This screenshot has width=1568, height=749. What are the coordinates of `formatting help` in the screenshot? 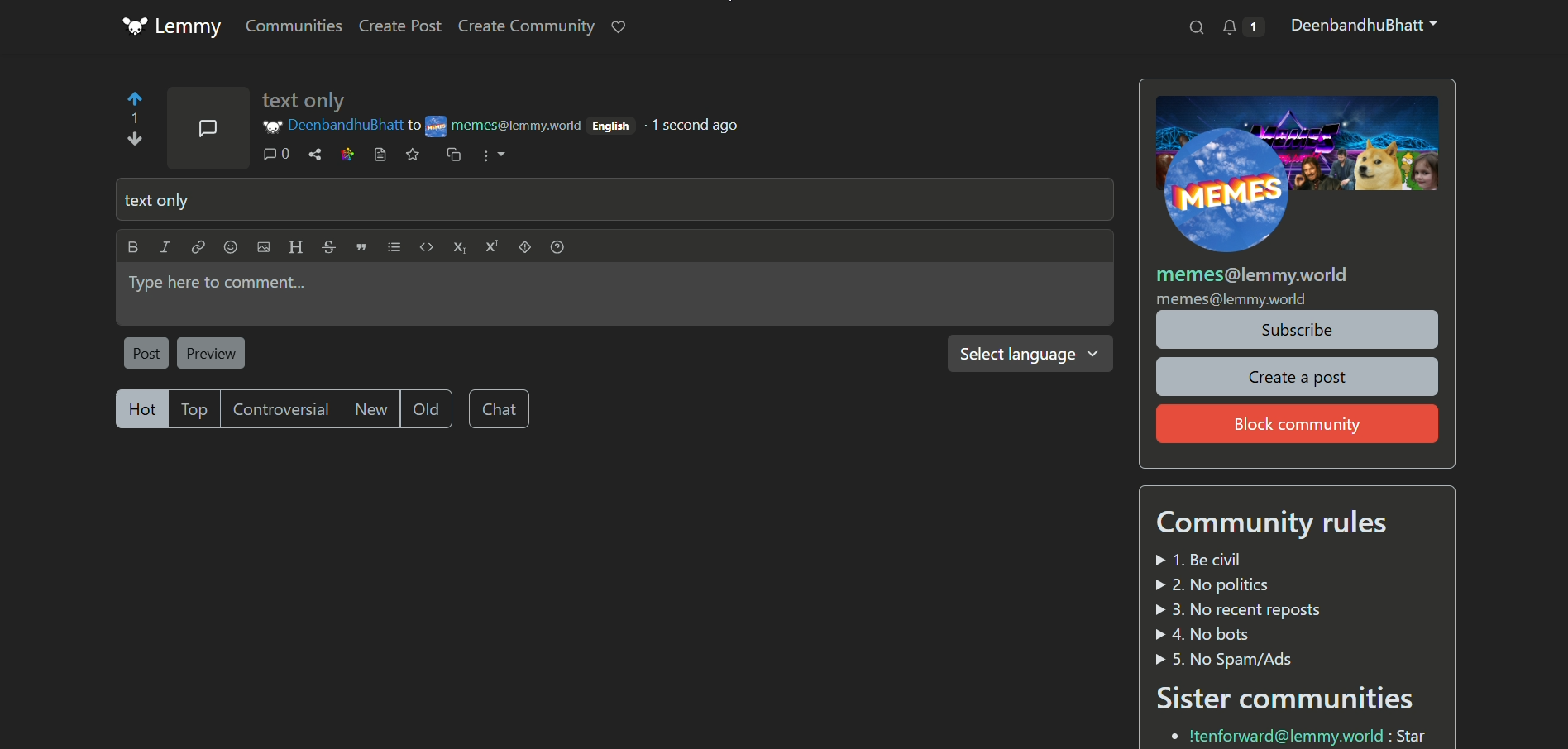 It's located at (561, 247).